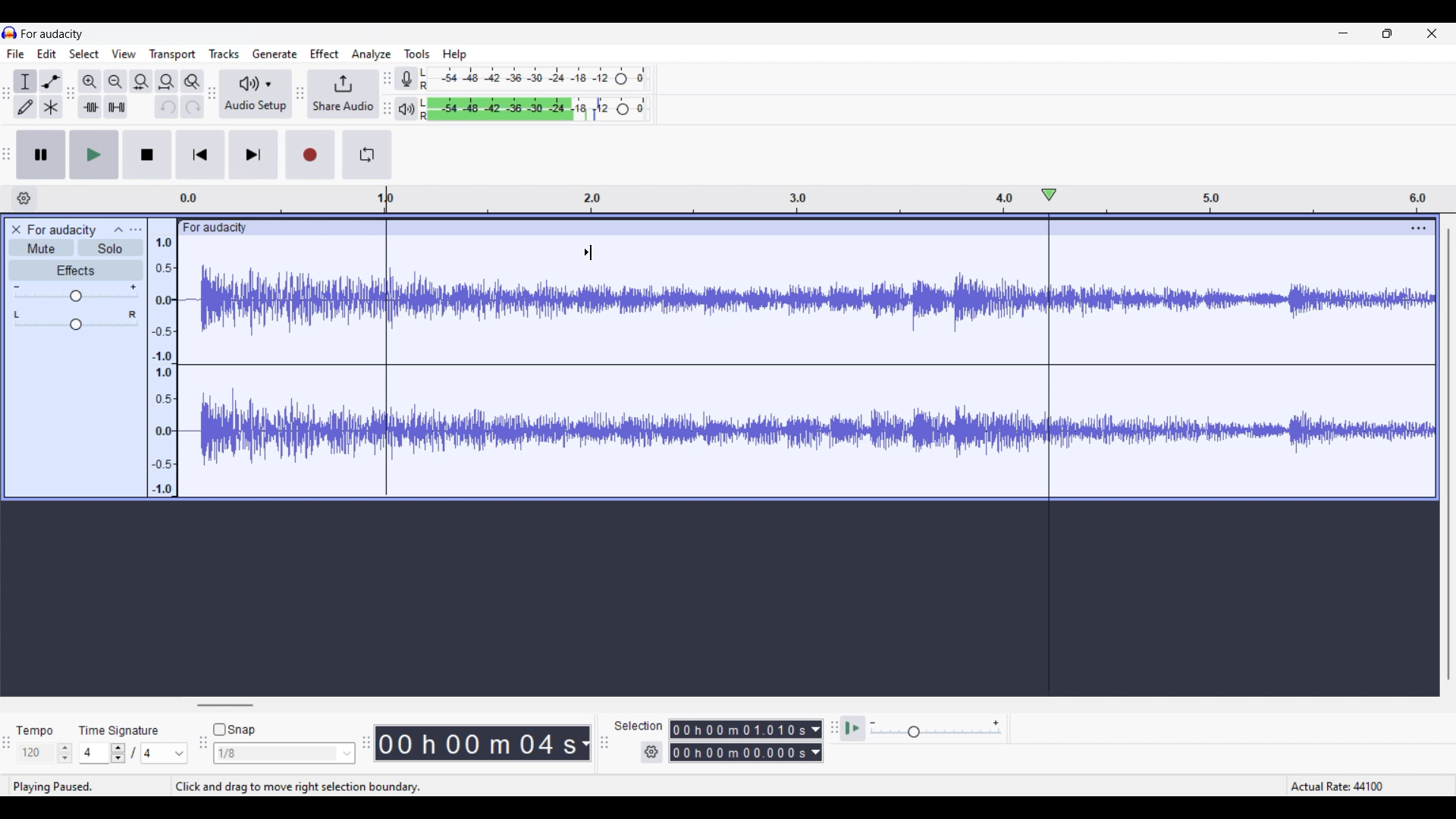 Image resolution: width=1456 pixels, height=819 pixels. Describe the element at coordinates (1258, 199) in the screenshot. I see `Scale to measure length of track` at that location.